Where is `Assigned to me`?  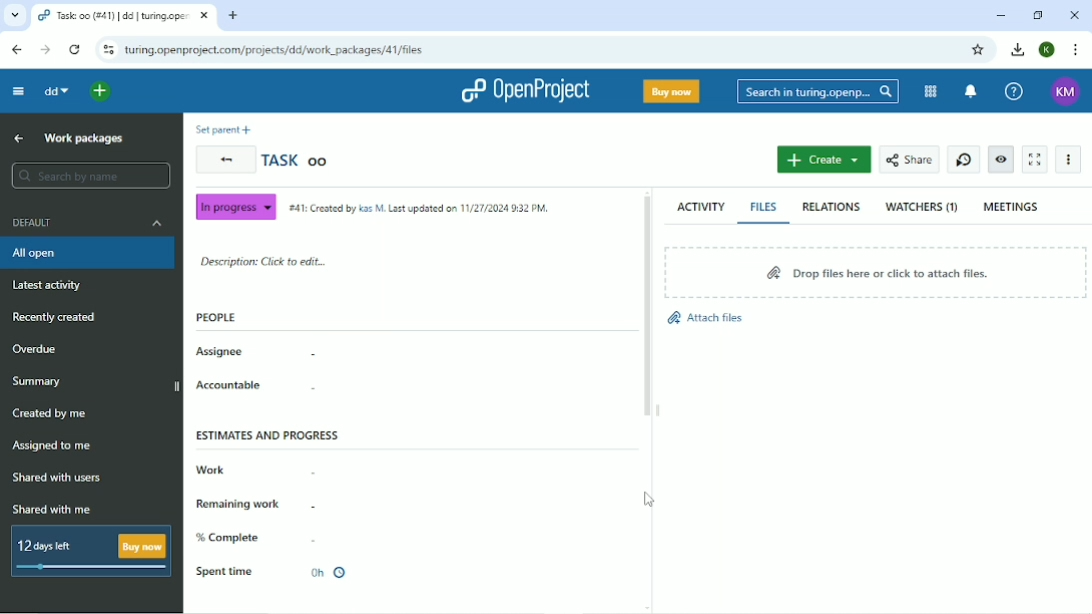 Assigned to me is located at coordinates (55, 447).